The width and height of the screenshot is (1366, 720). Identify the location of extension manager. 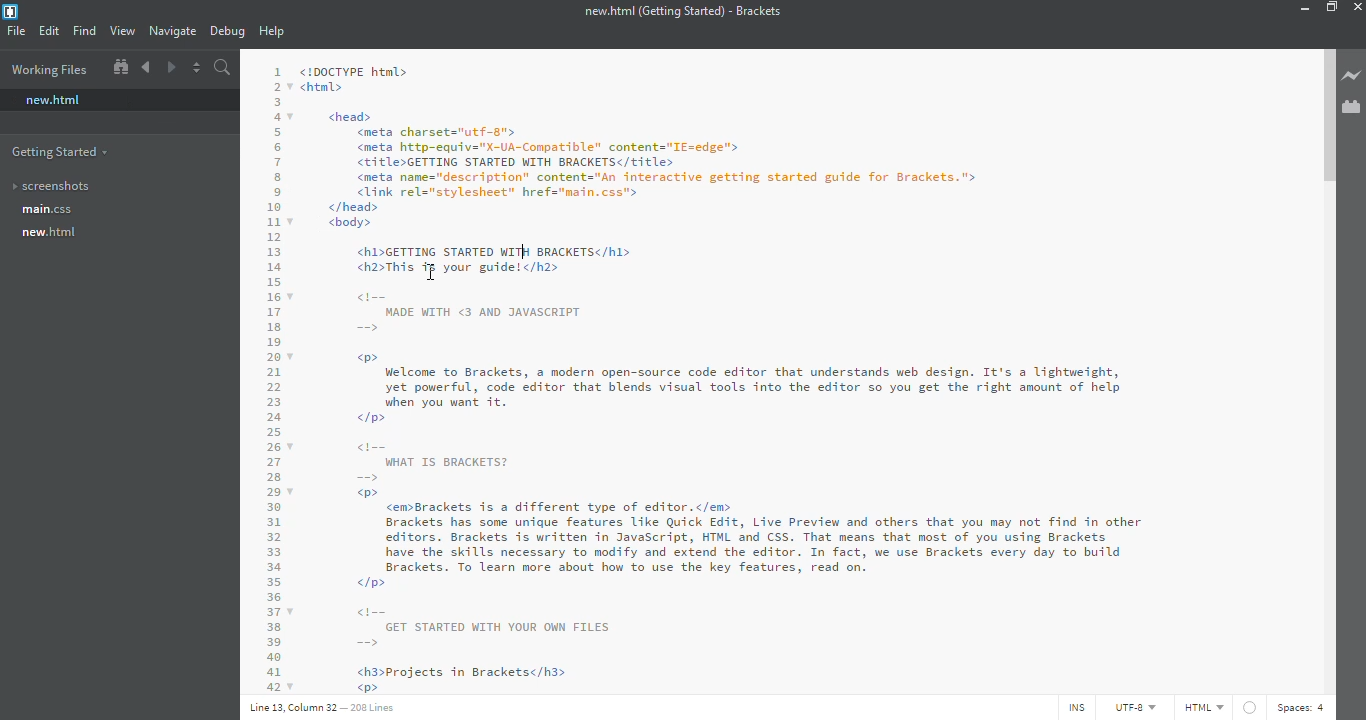
(1351, 106).